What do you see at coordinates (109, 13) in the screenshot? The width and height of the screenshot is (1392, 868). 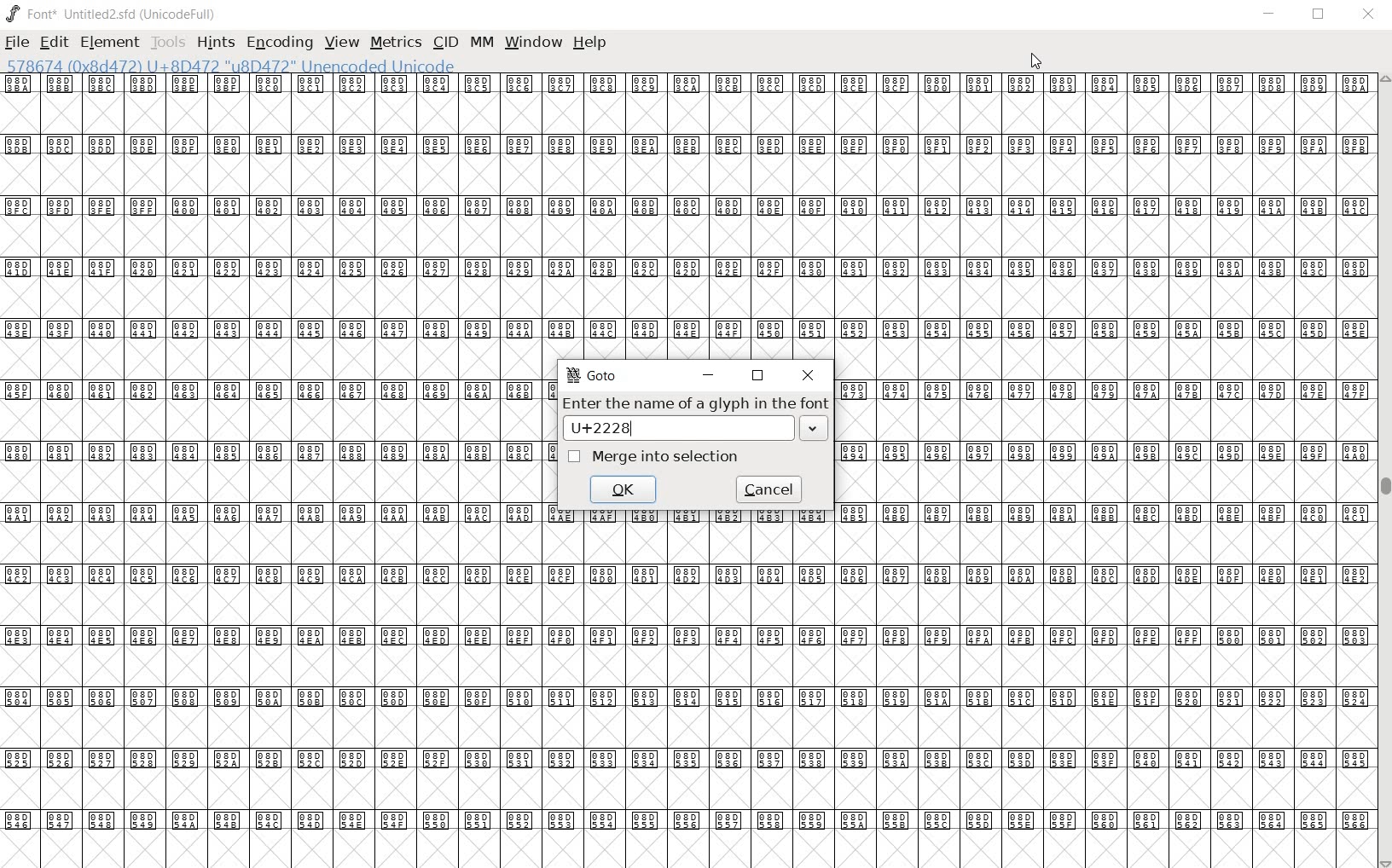 I see `font* Untitled2.sfd (UnicodeFull)` at bounding box center [109, 13].